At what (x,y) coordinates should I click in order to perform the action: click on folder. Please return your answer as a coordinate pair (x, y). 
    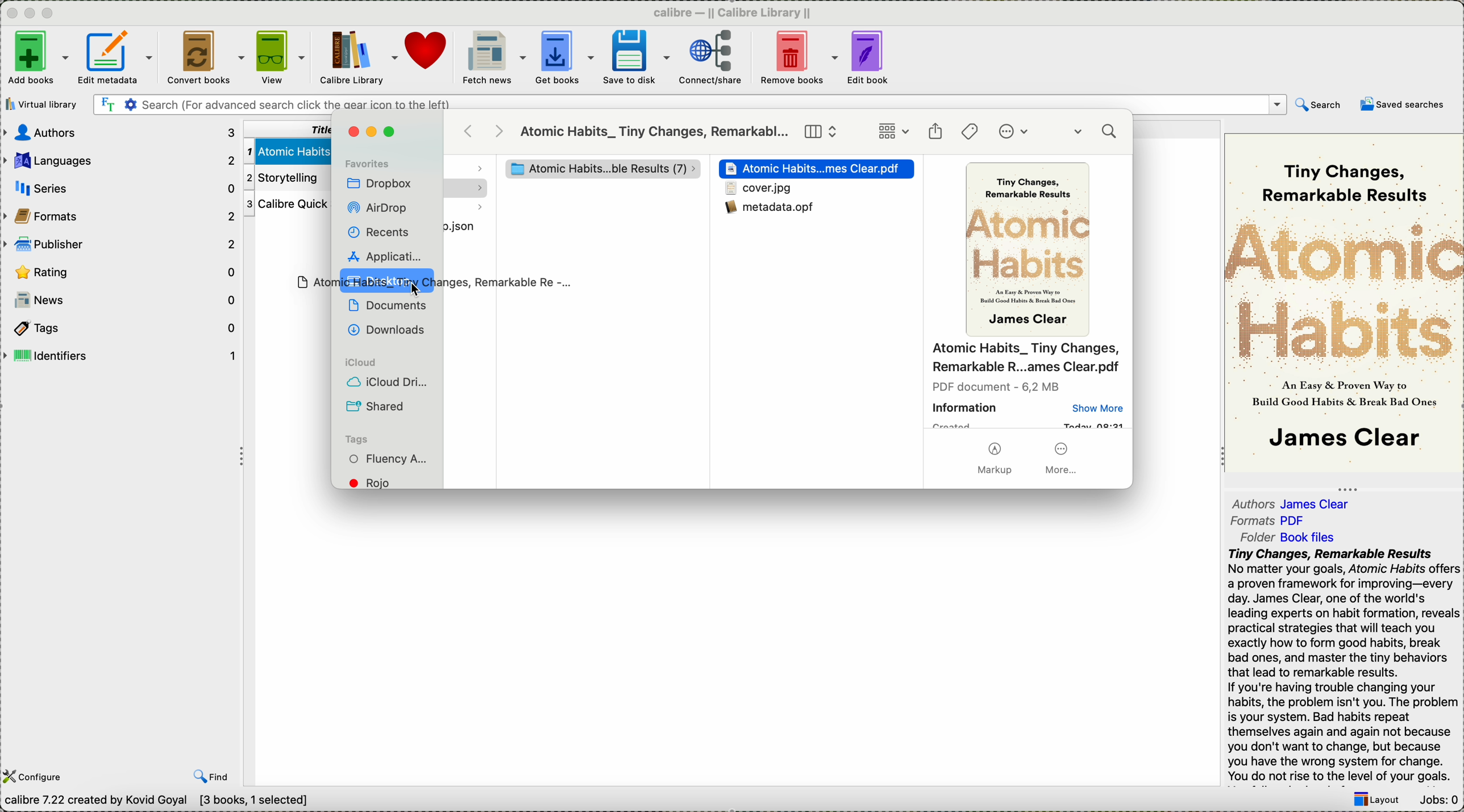
    Looking at the image, I should click on (1295, 536).